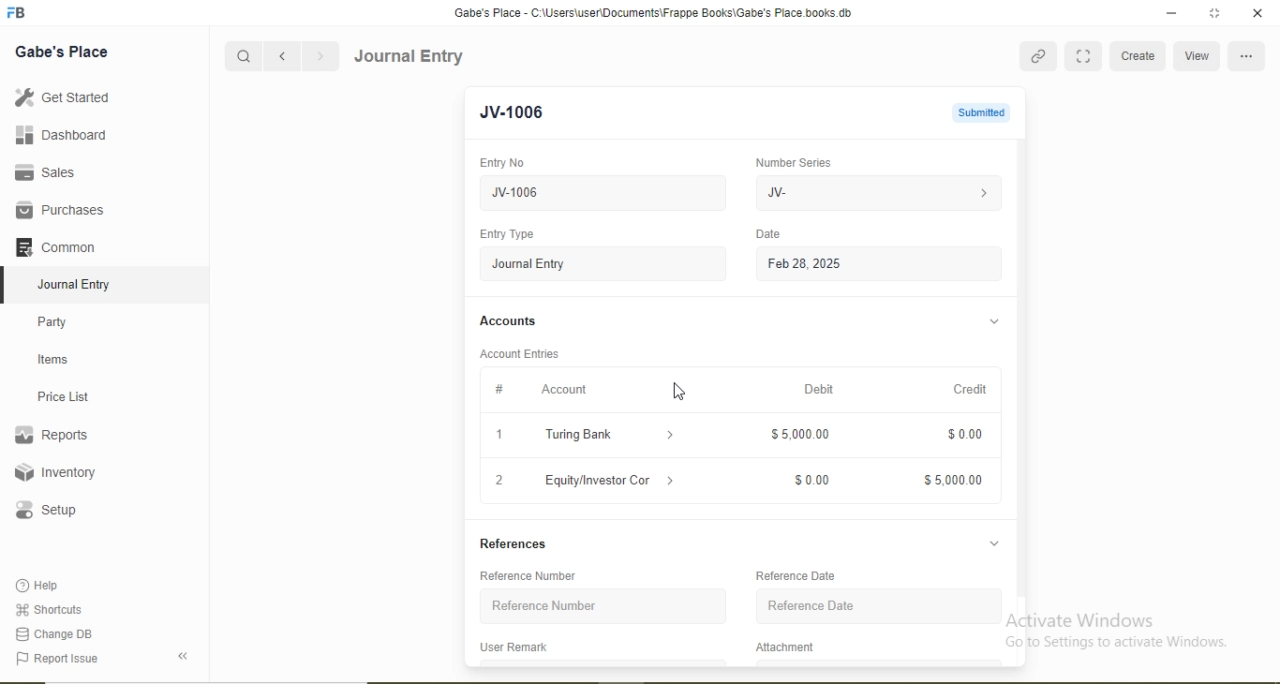 The height and width of the screenshot is (684, 1280). What do you see at coordinates (994, 544) in the screenshot?
I see `Dropdown` at bounding box center [994, 544].